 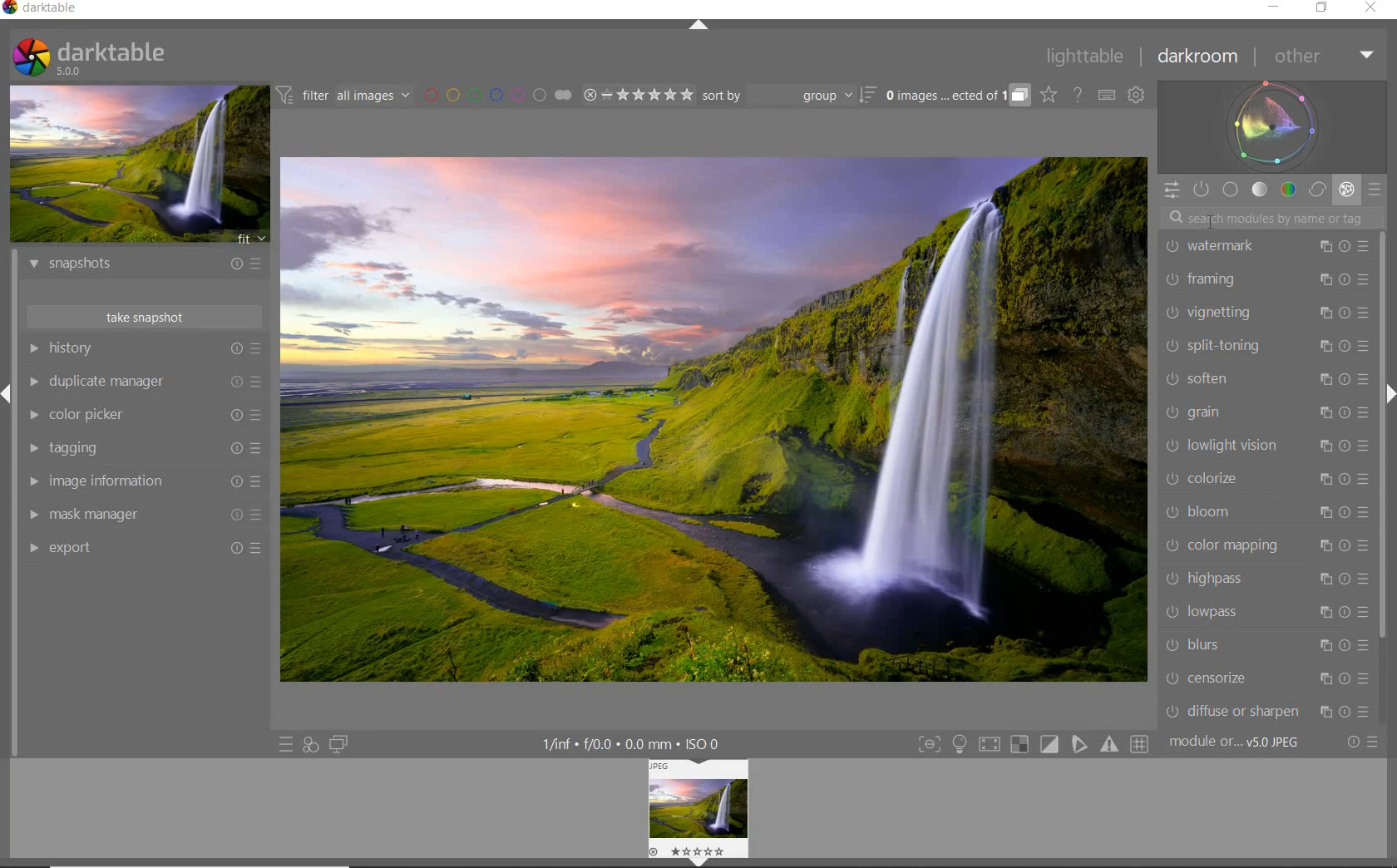 I want to click on SHOW GLOBAL PREFERENCES, so click(x=1136, y=95).